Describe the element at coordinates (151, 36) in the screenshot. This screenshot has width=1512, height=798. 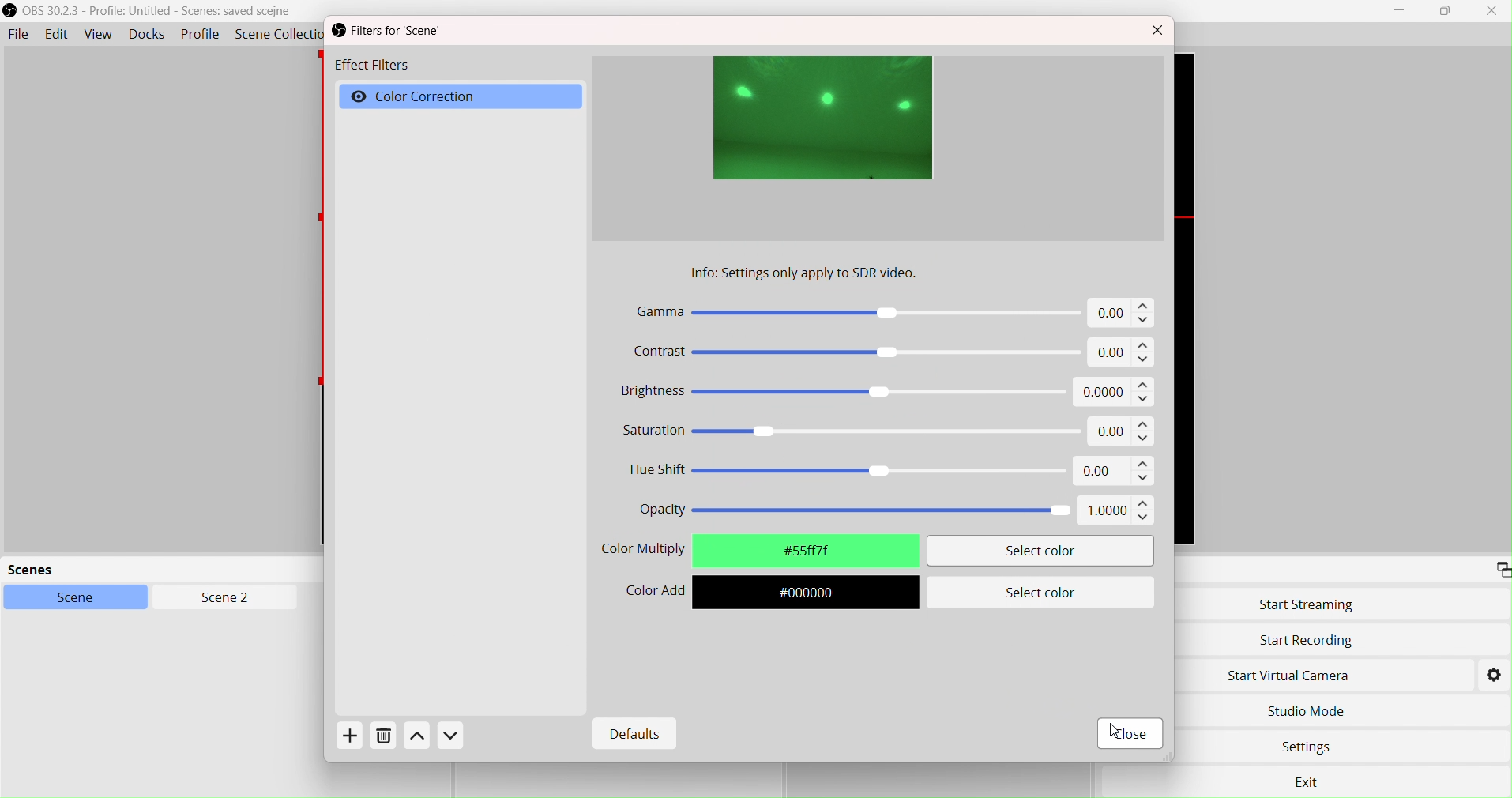
I see `Docks` at that location.